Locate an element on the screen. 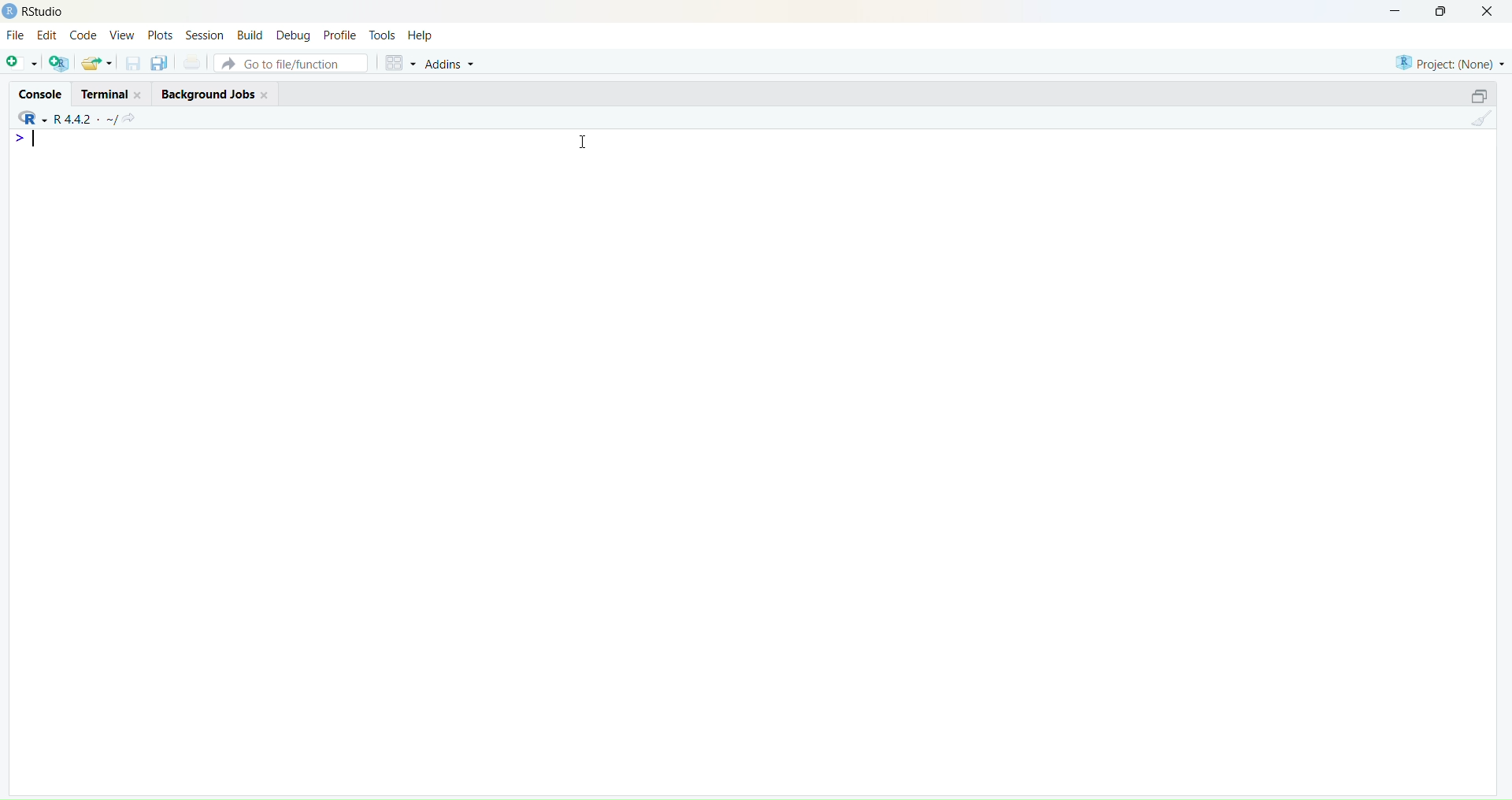 The image size is (1512, 800). copy is located at coordinates (159, 62).